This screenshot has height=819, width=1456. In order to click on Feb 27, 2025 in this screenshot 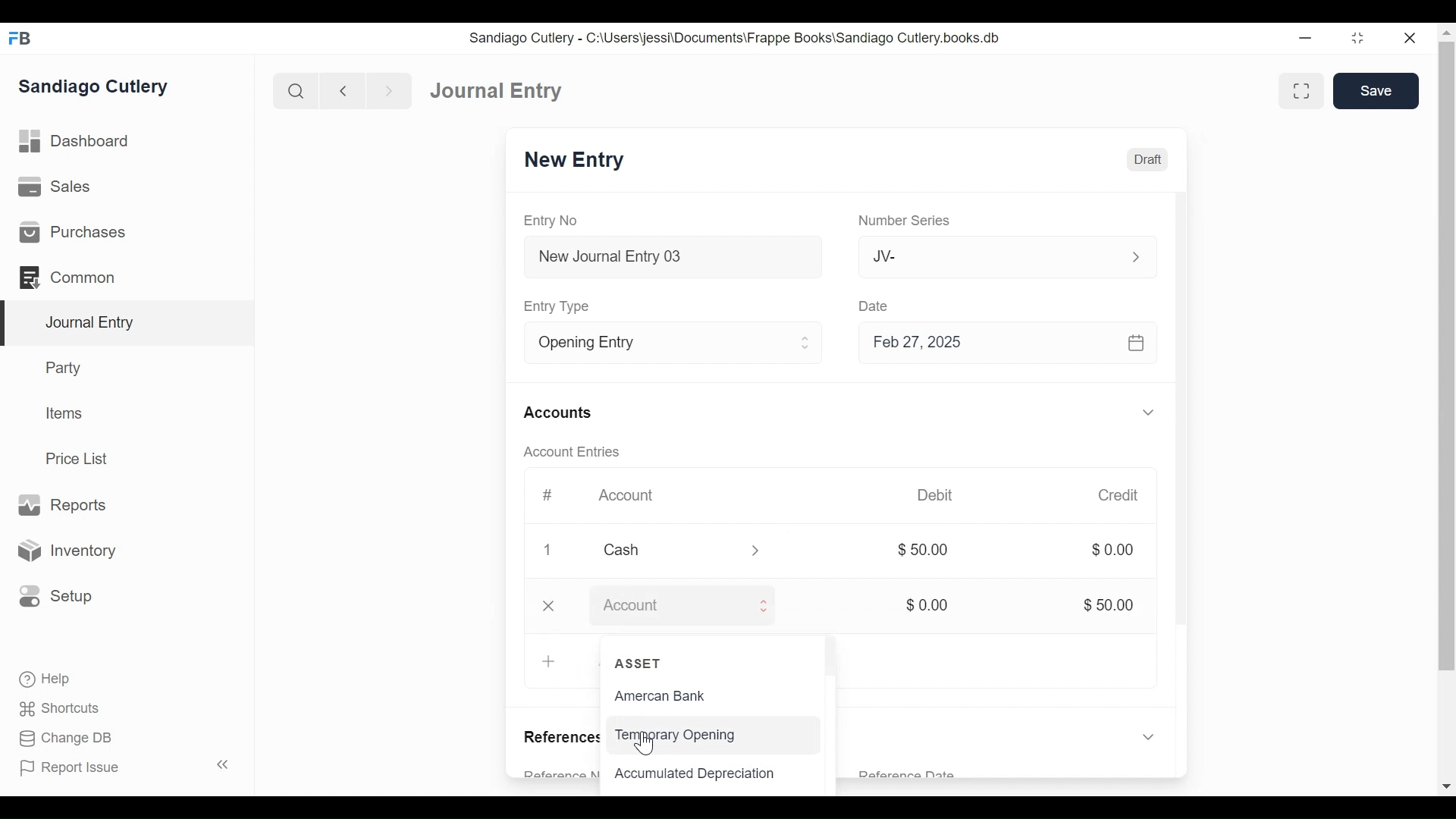, I will do `click(1006, 344)`.